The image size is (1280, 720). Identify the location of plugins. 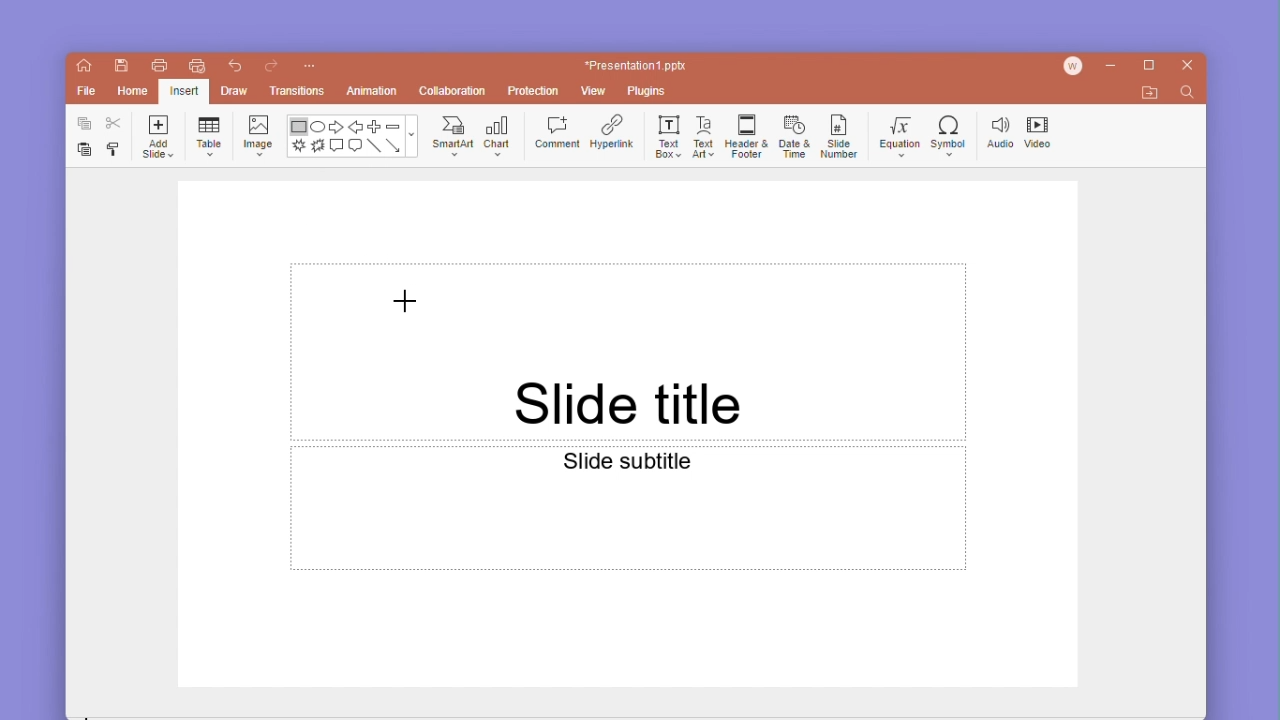
(652, 92).